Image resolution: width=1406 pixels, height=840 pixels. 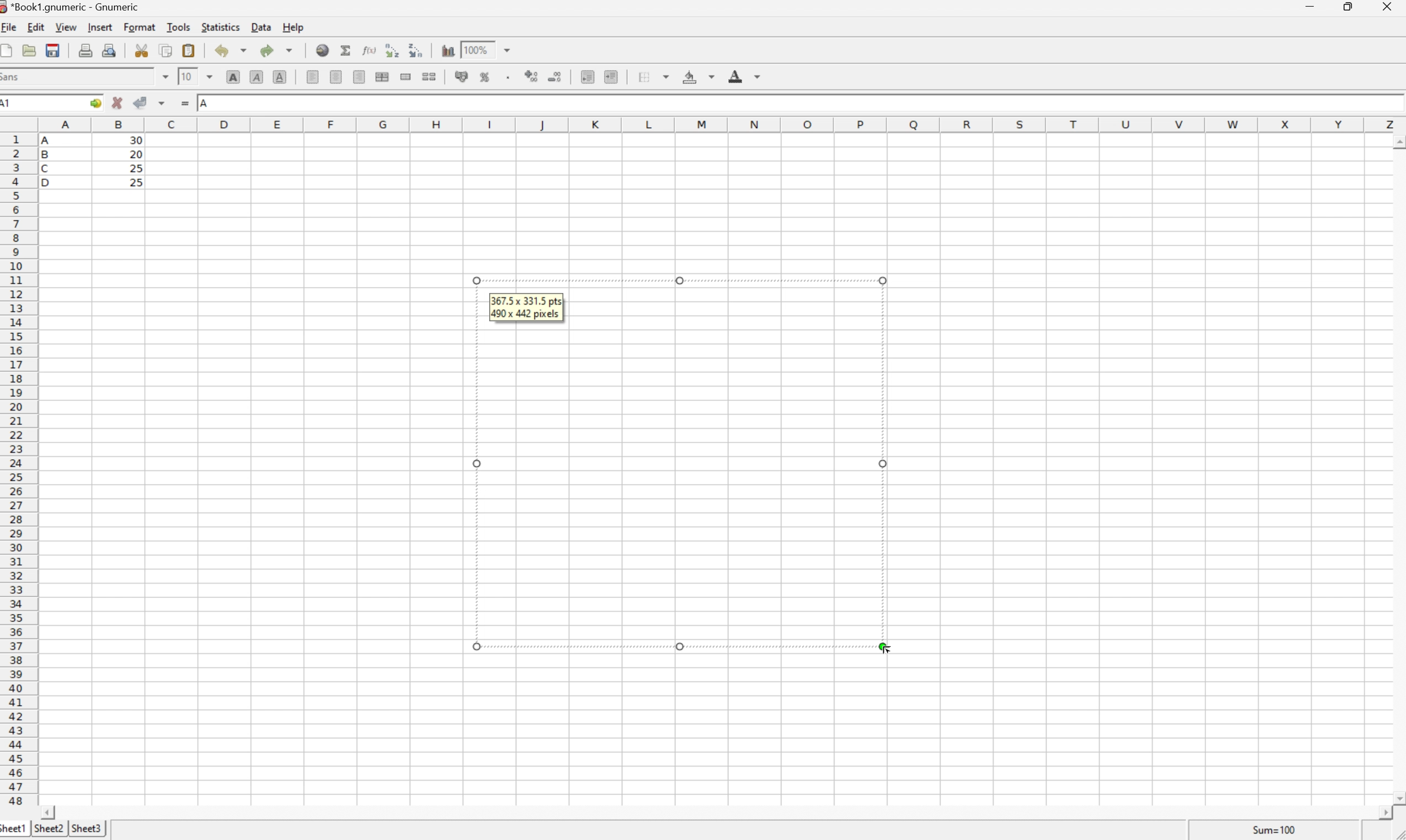 What do you see at coordinates (528, 315) in the screenshot?
I see `490*442 pixels` at bounding box center [528, 315].